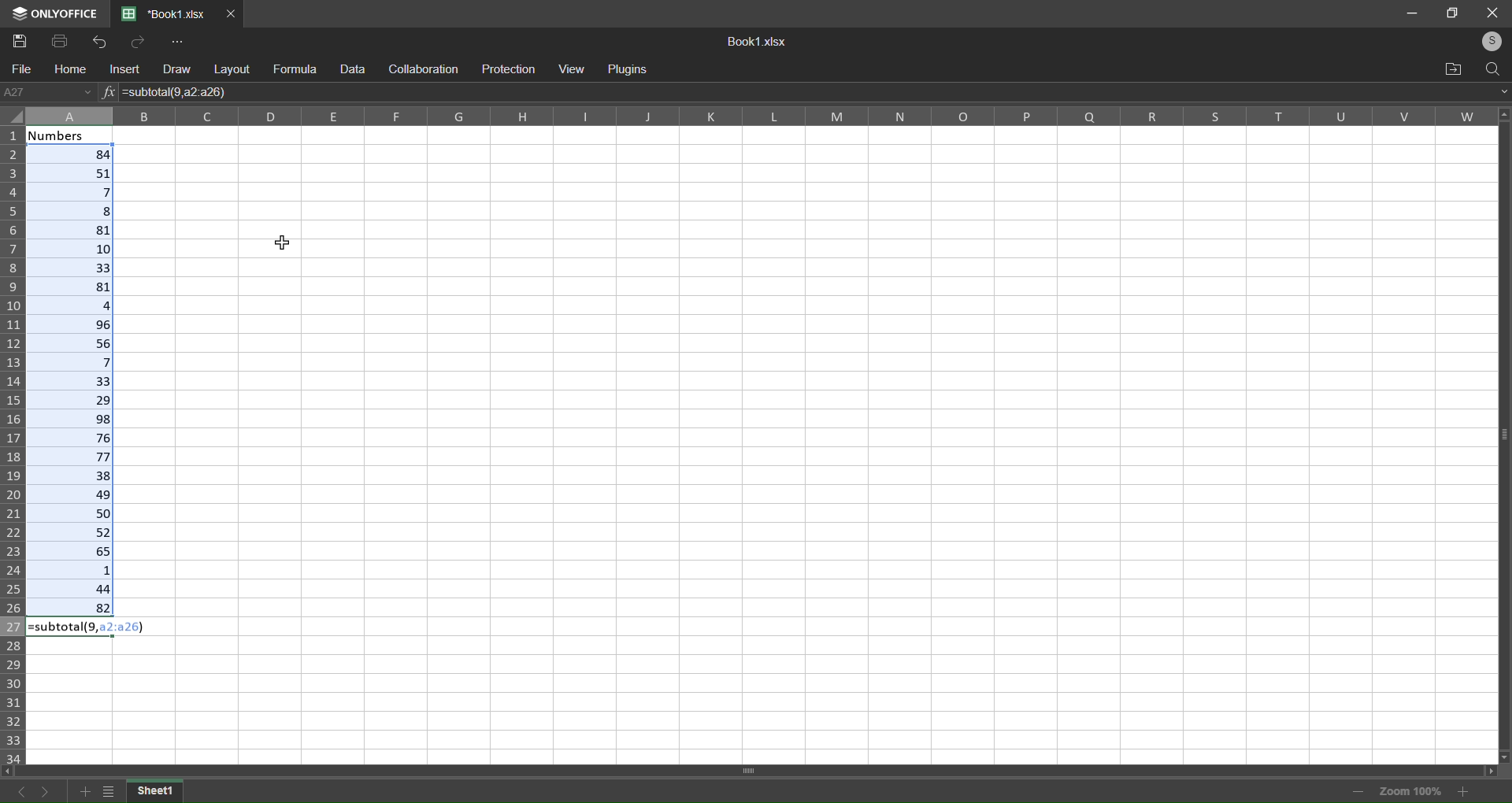 This screenshot has height=803, width=1512. Describe the element at coordinates (21, 40) in the screenshot. I see `Save` at that location.